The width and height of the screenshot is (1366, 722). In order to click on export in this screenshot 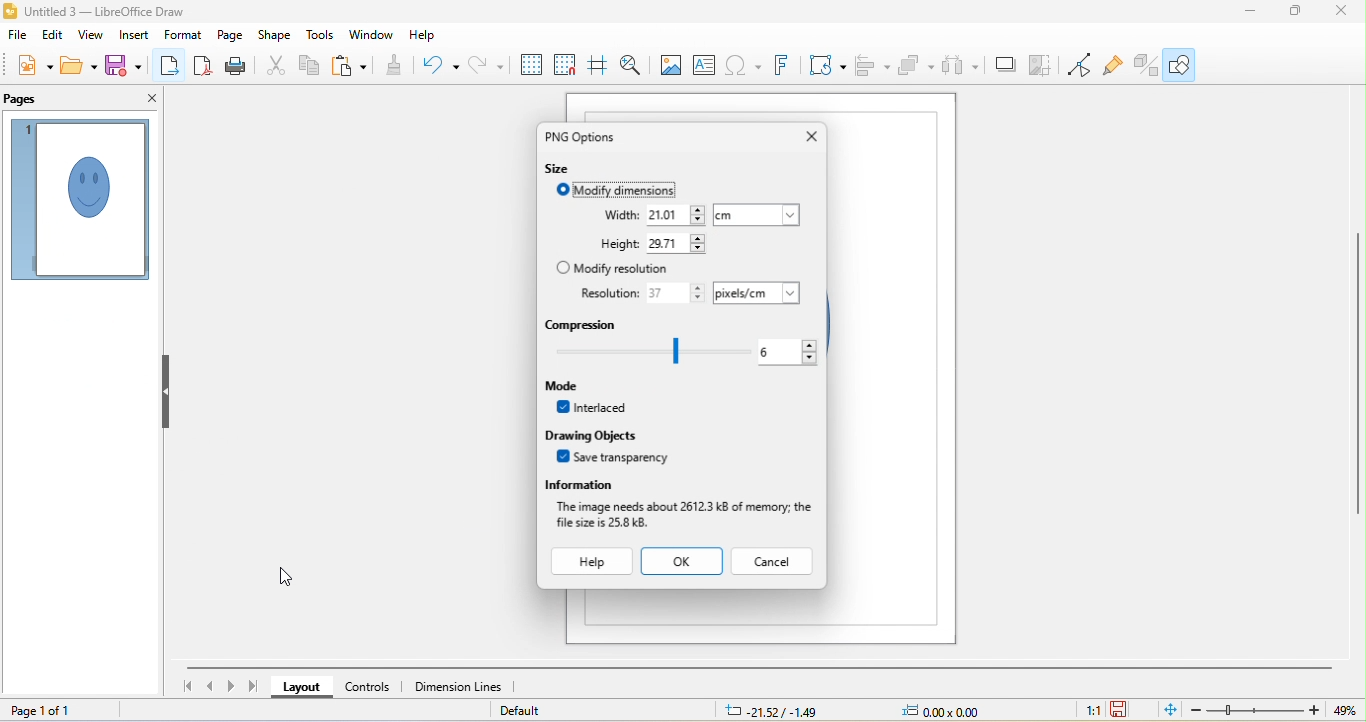, I will do `click(172, 64)`.